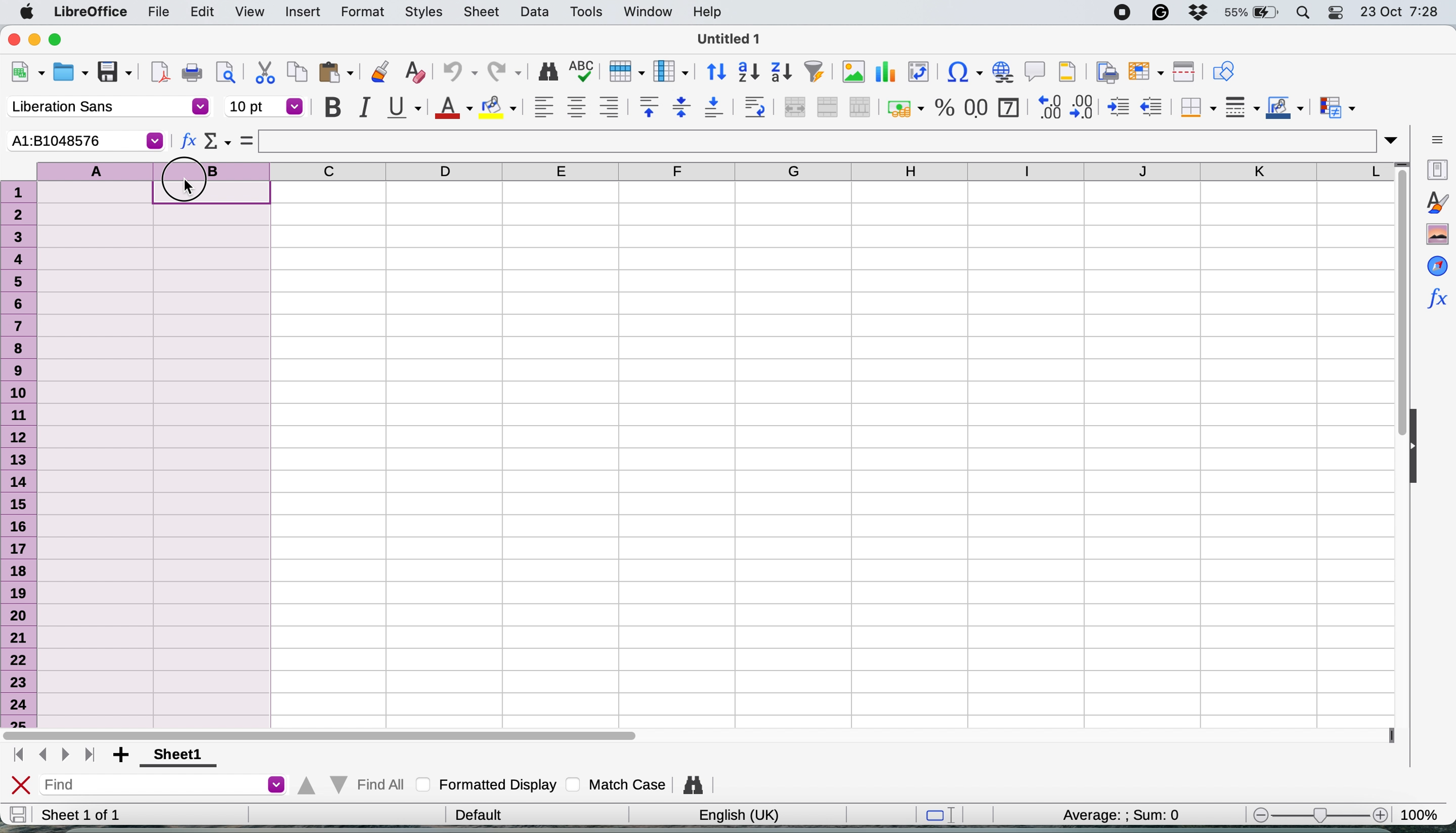 This screenshot has width=1456, height=833. I want to click on sheet 1 of 1, so click(102, 815).